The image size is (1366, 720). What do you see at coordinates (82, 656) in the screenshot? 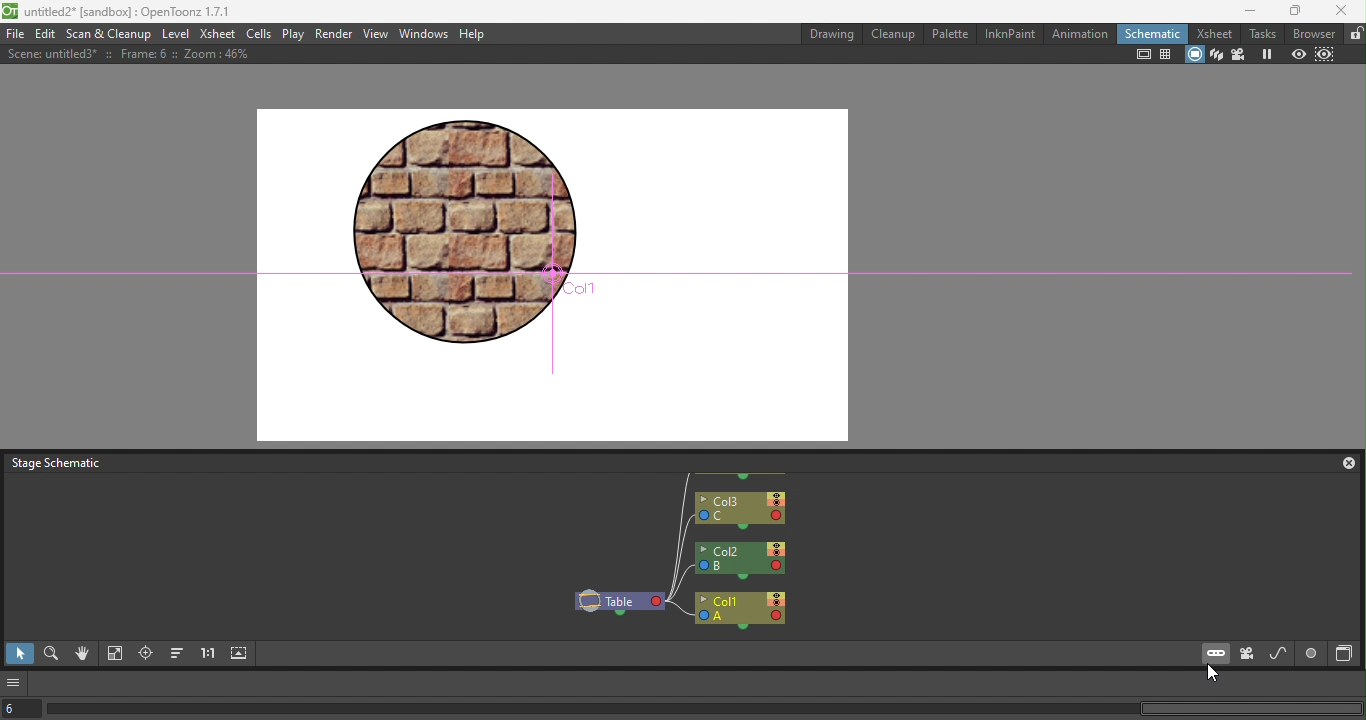
I see `Hand mode` at bounding box center [82, 656].